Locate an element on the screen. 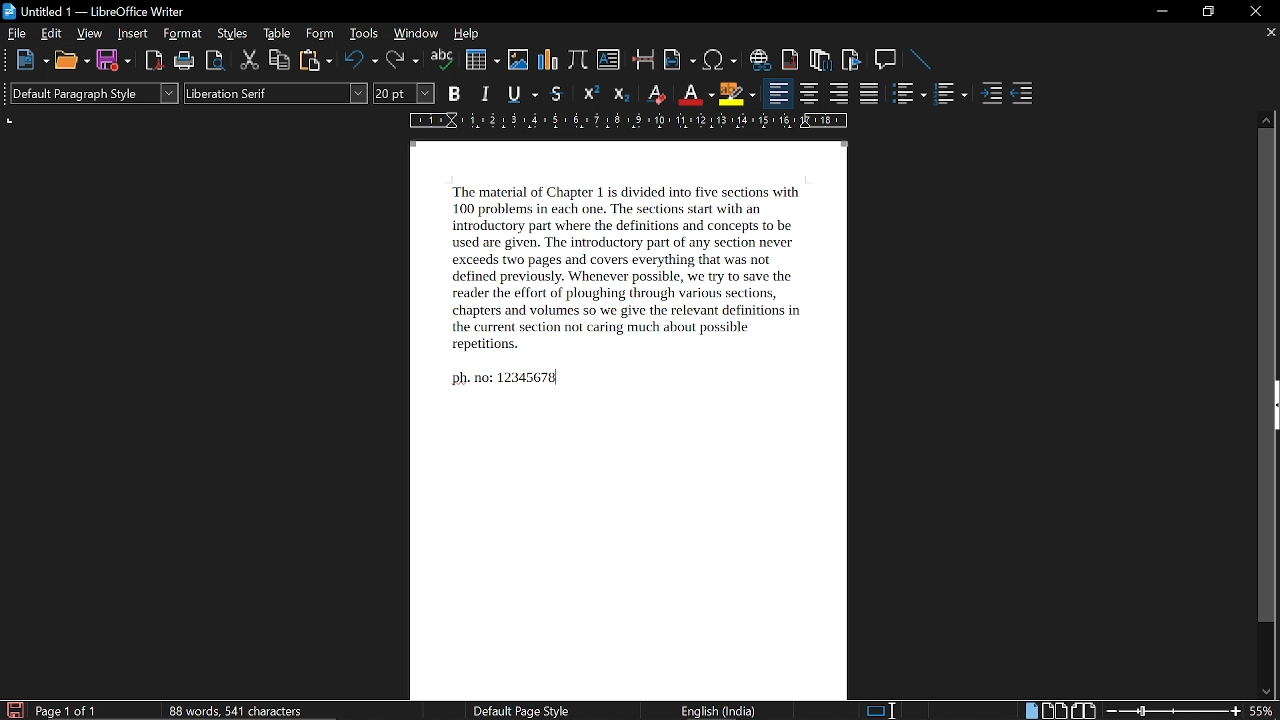  align right is located at coordinates (838, 95).